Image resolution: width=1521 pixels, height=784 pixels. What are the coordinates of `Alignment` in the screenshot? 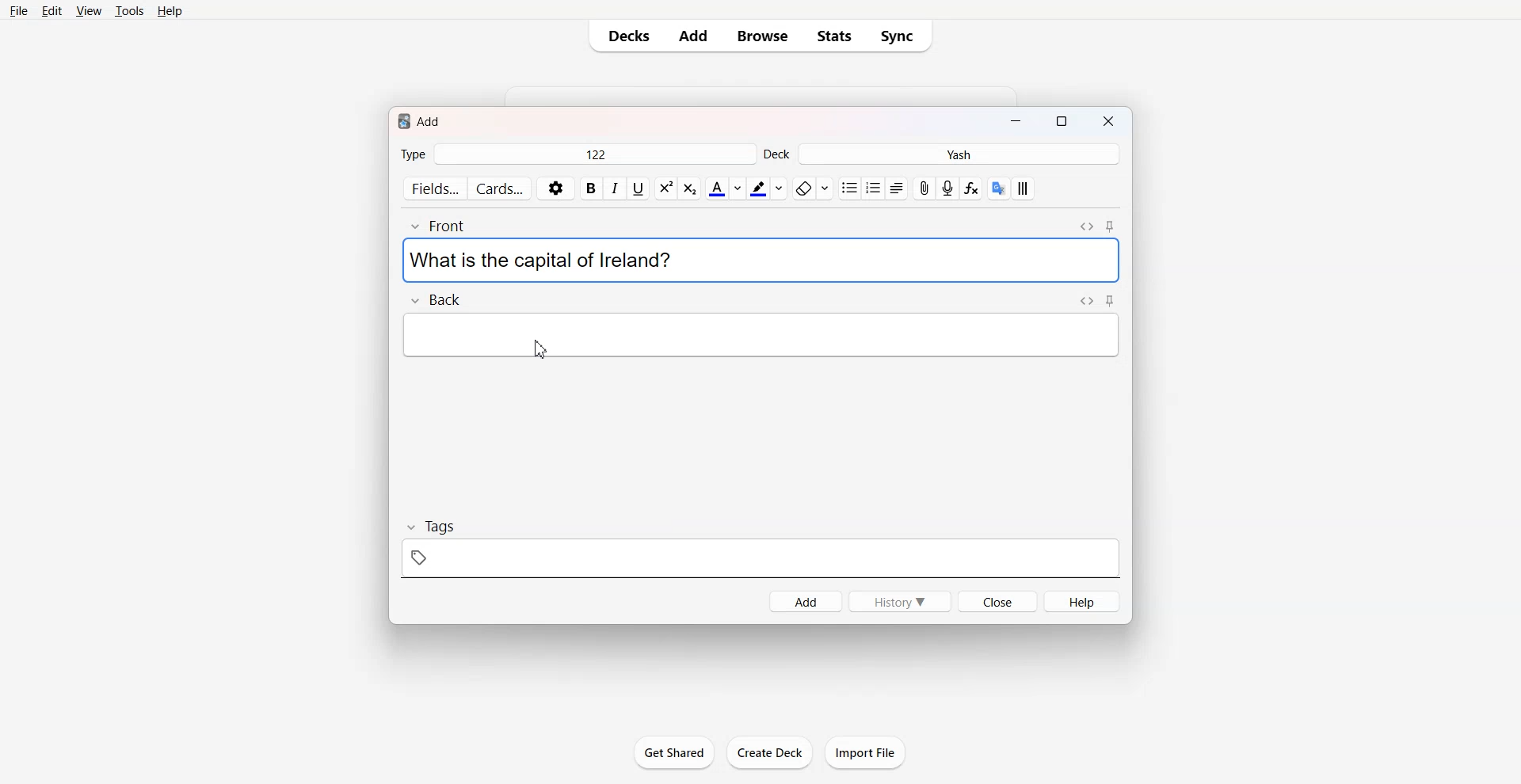 It's located at (896, 188).